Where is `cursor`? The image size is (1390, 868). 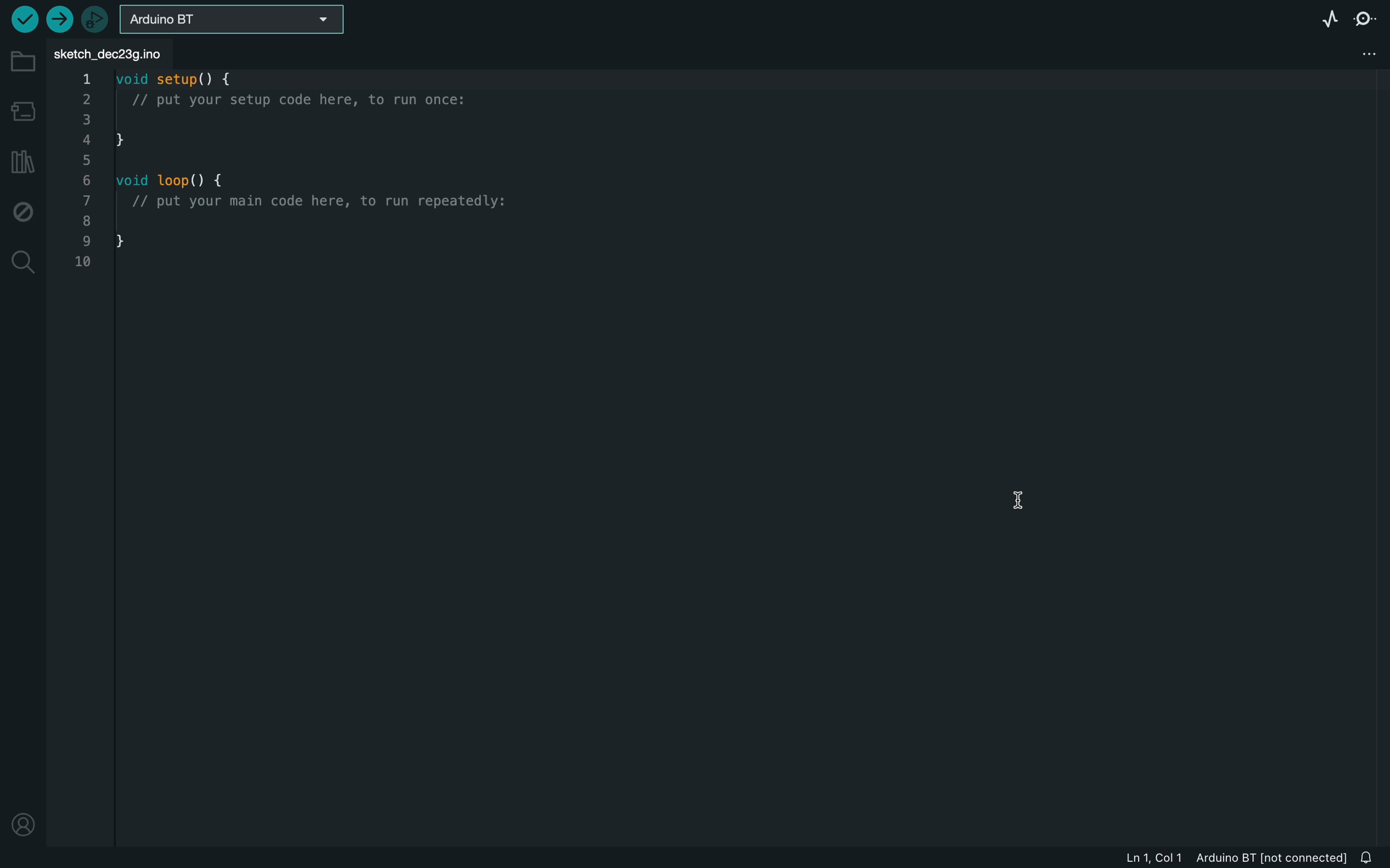
cursor is located at coordinates (1020, 489).